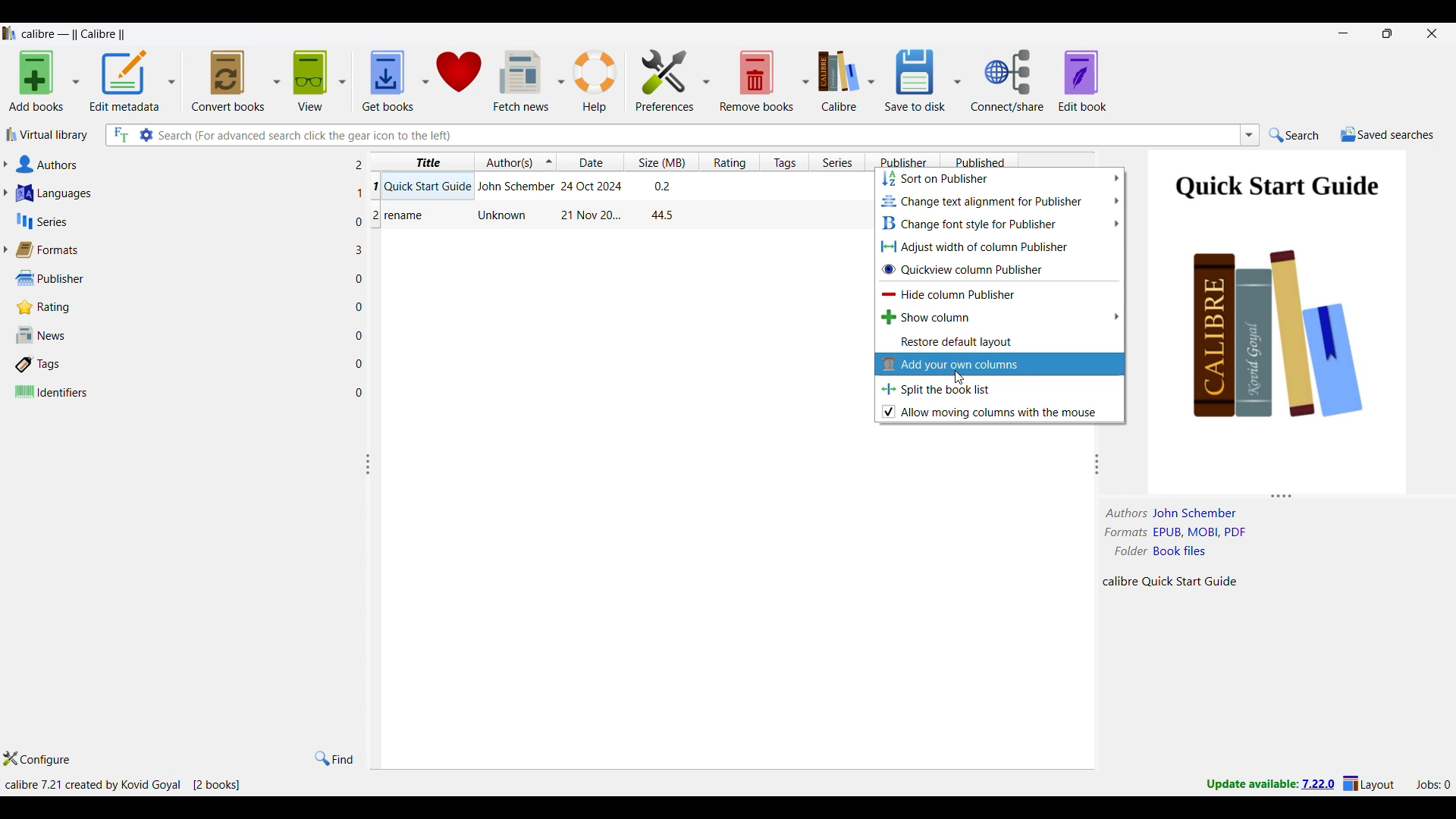 This screenshot has height=819, width=1456. Describe the element at coordinates (962, 375) in the screenshot. I see `cursor` at that location.